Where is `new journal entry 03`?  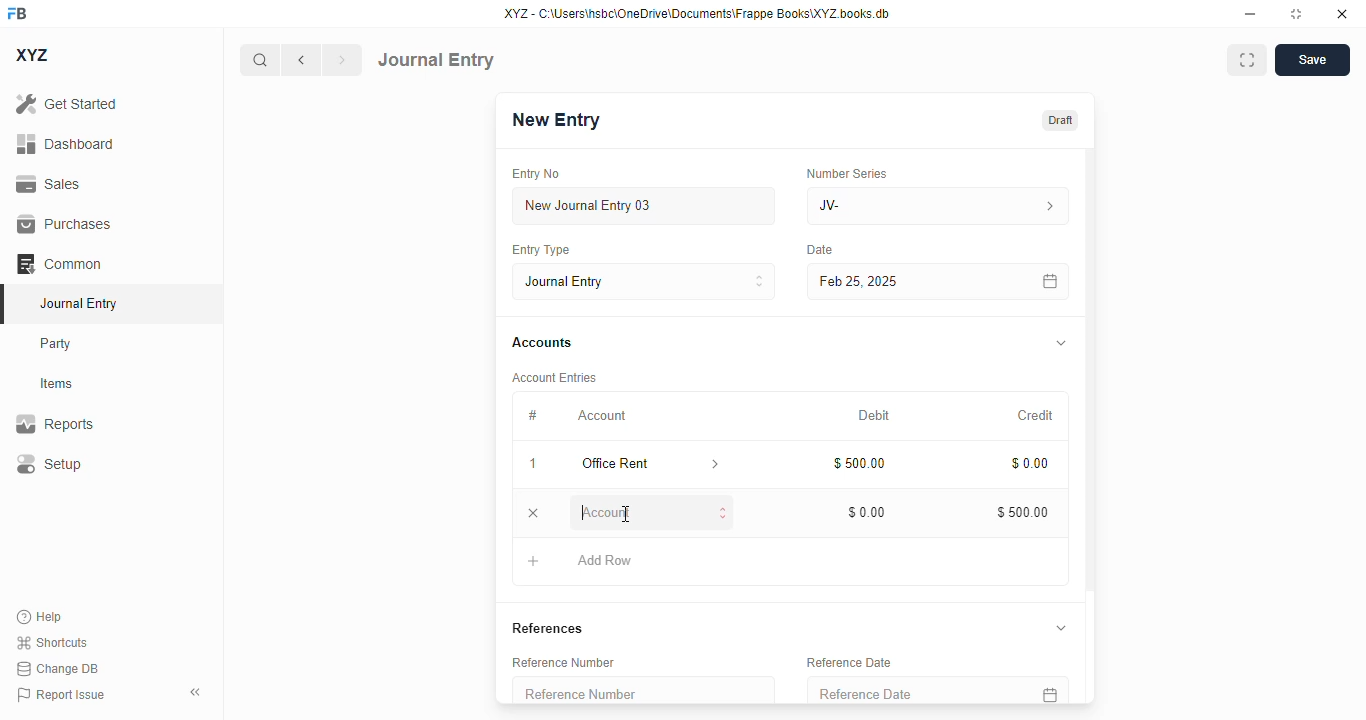 new journal entry 03 is located at coordinates (642, 206).